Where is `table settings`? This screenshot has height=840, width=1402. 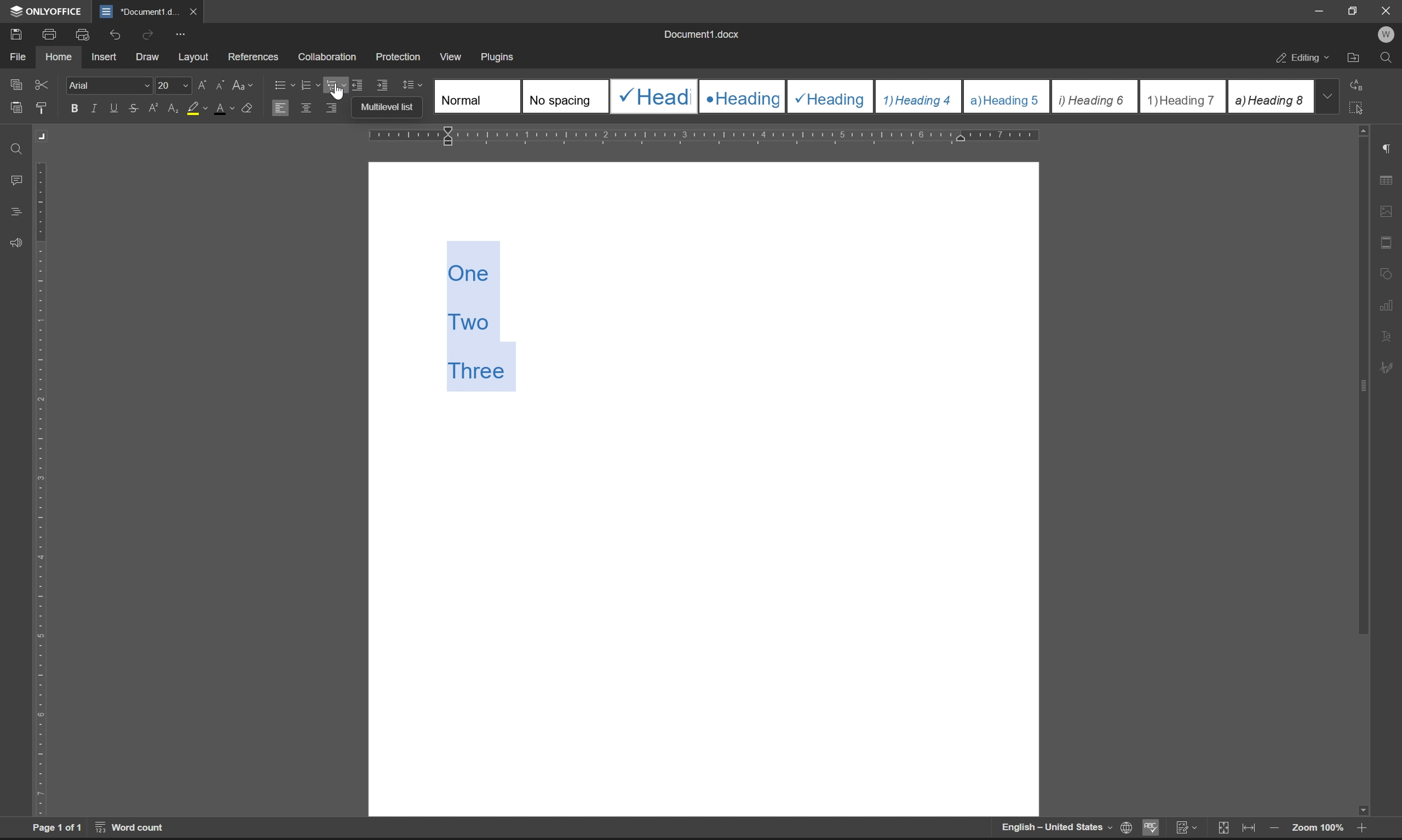 table settings is located at coordinates (1386, 181).